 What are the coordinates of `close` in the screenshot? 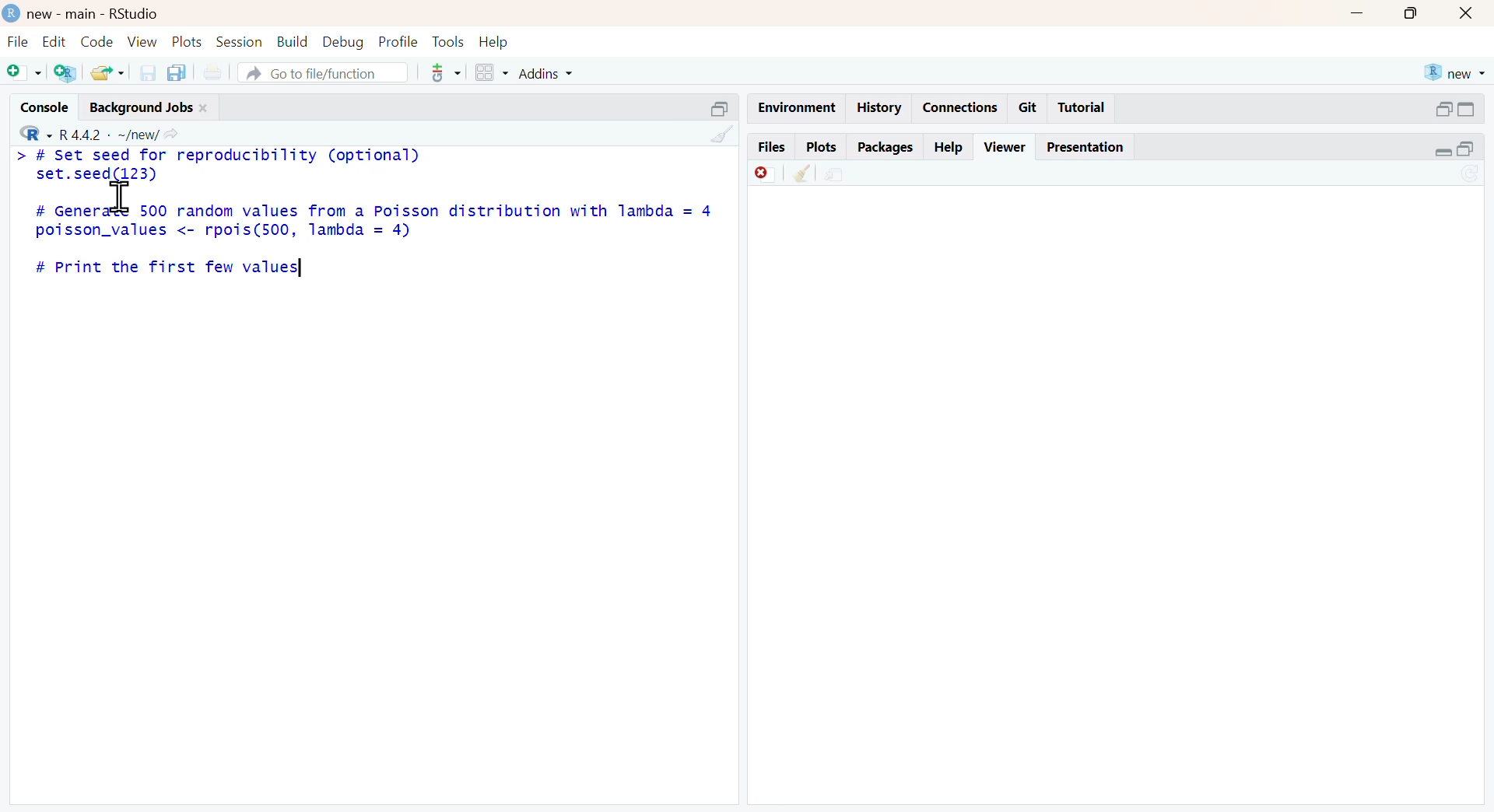 It's located at (1468, 13).